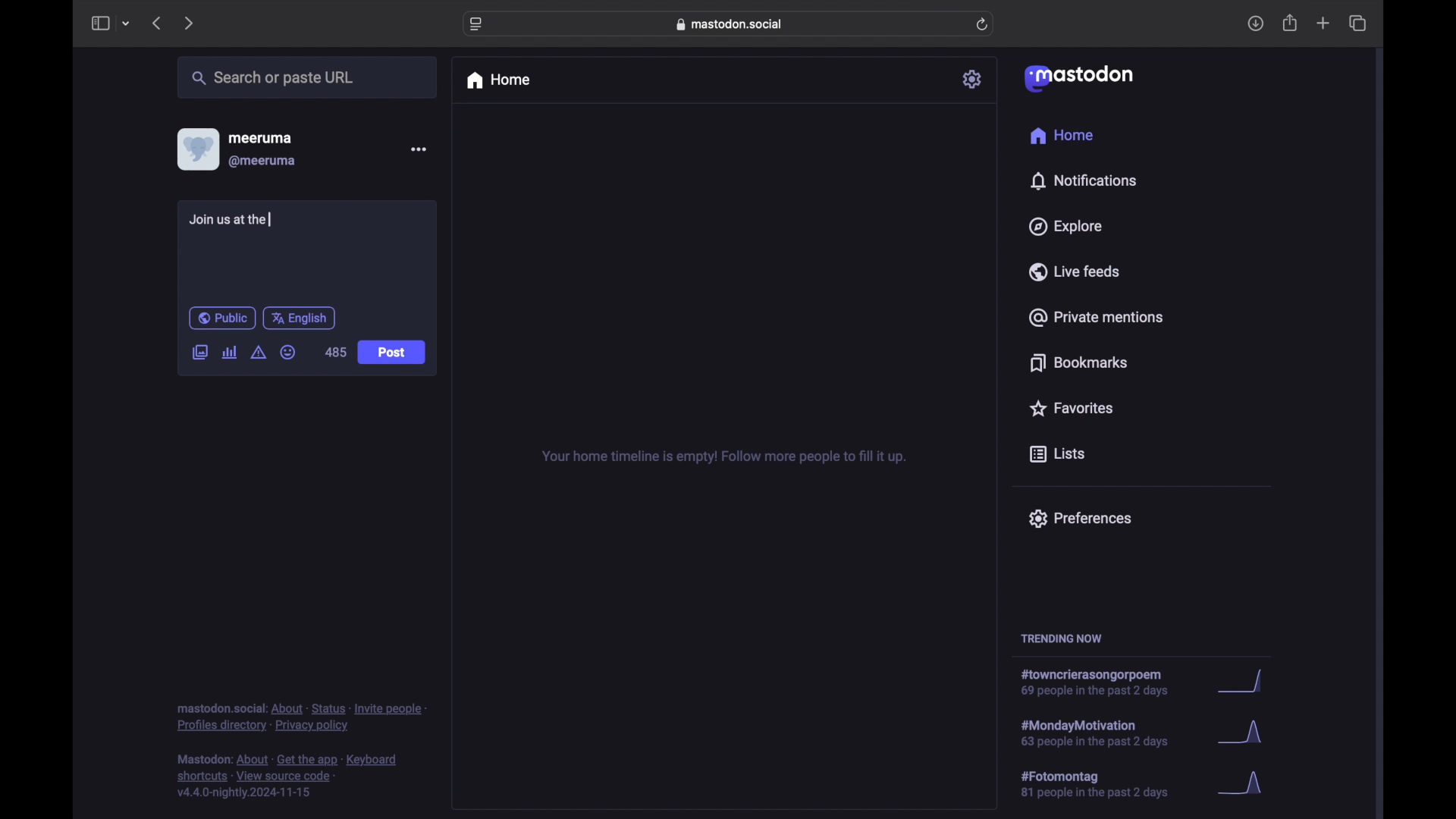 The width and height of the screenshot is (1456, 819). I want to click on display picture, so click(196, 149).